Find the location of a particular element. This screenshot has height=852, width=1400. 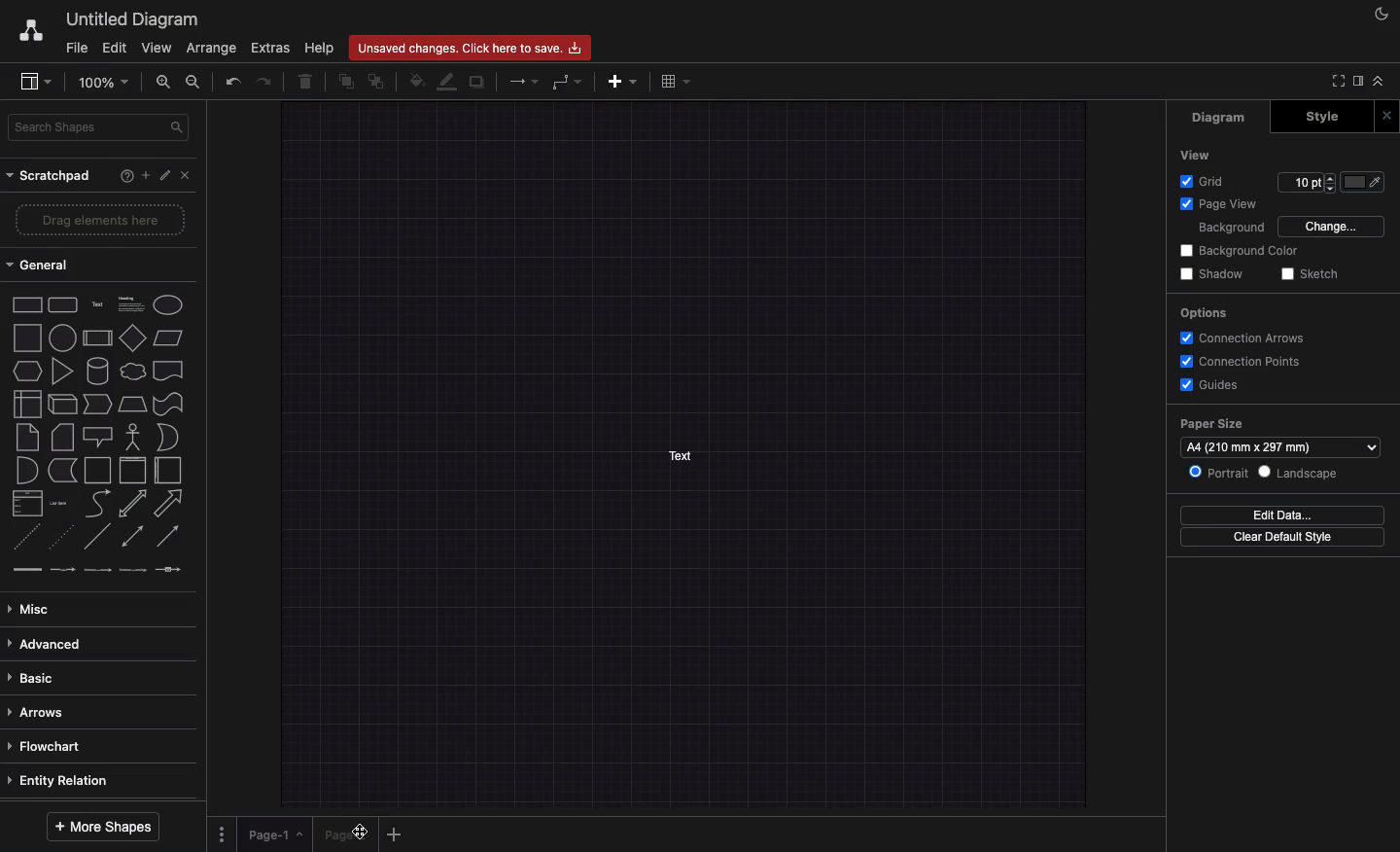

Page 1 is located at coordinates (277, 834).